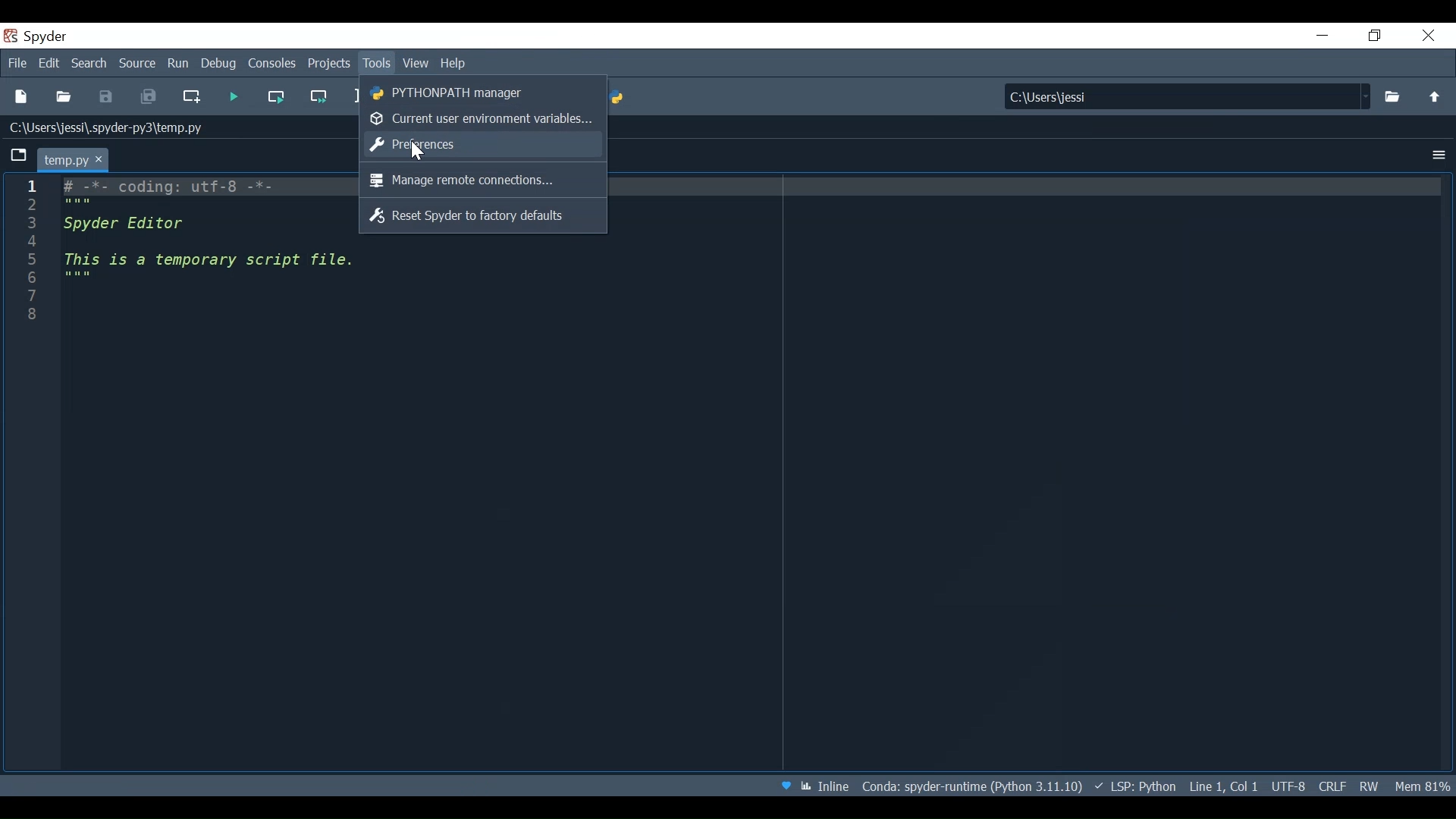  What do you see at coordinates (1222, 786) in the screenshot?
I see `Cursor Position` at bounding box center [1222, 786].